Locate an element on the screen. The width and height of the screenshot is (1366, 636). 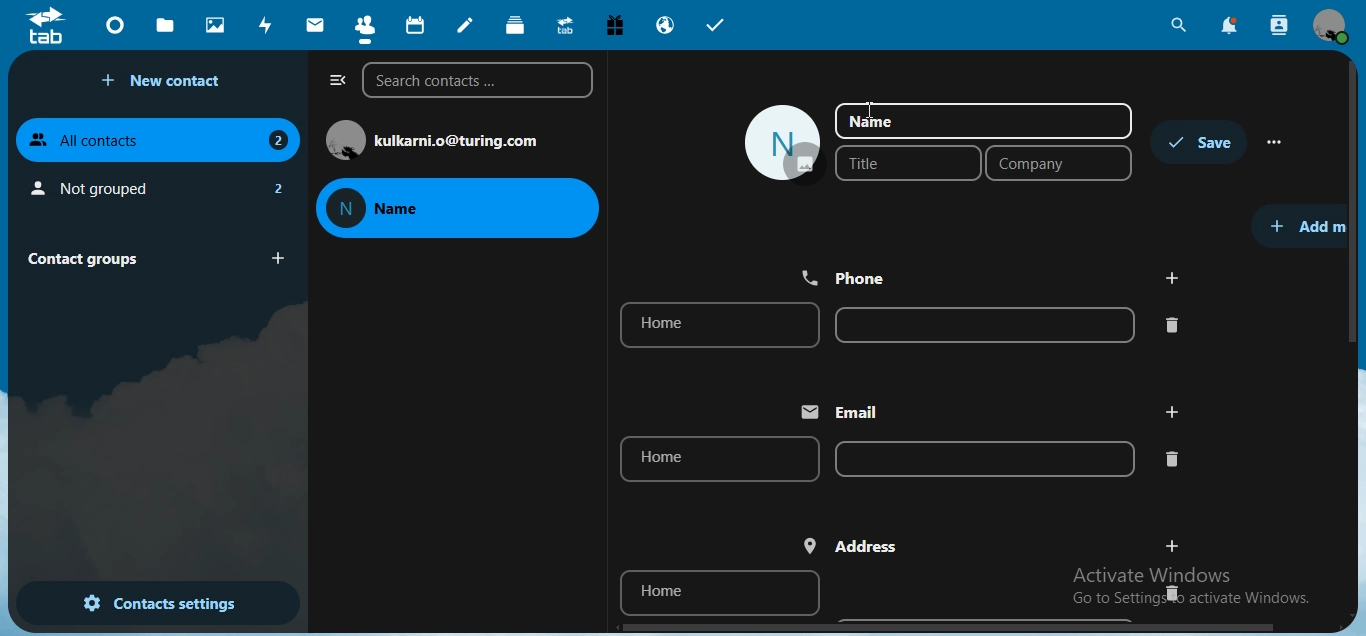
free trial is located at coordinates (610, 24).